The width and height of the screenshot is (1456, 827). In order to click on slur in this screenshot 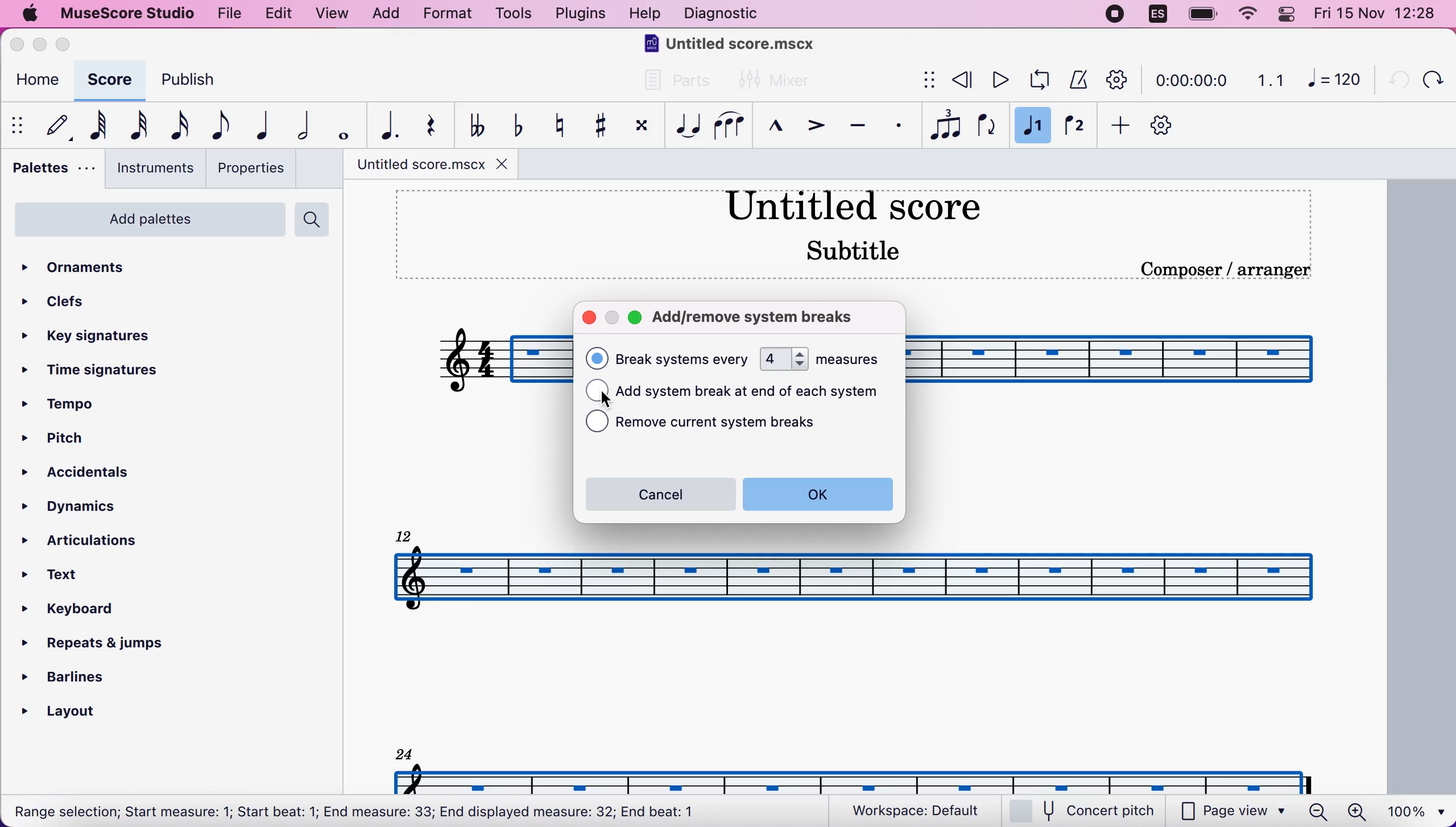, I will do `click(729, 125)`.